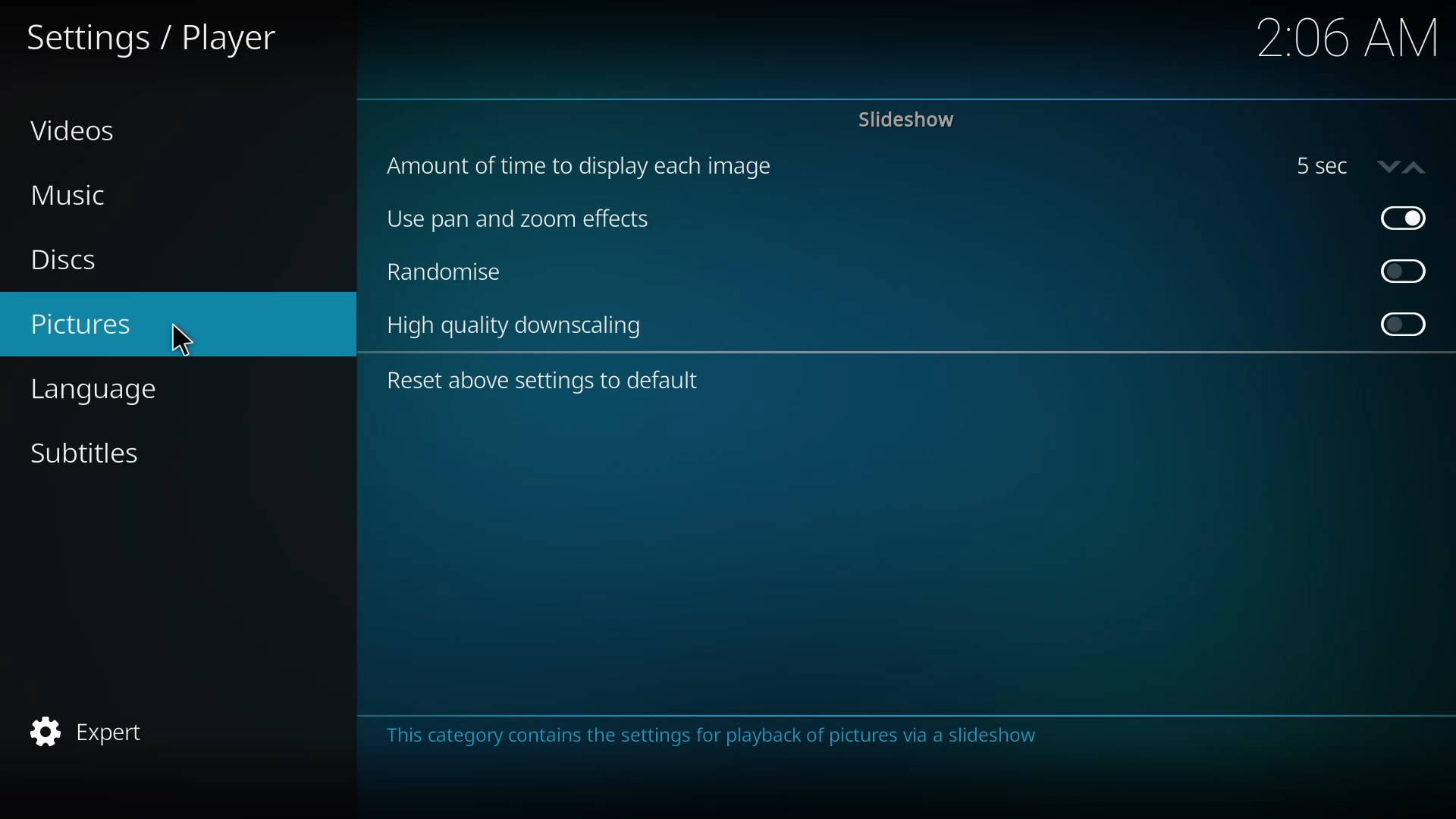  I want to click on discs, so click(66, 257).